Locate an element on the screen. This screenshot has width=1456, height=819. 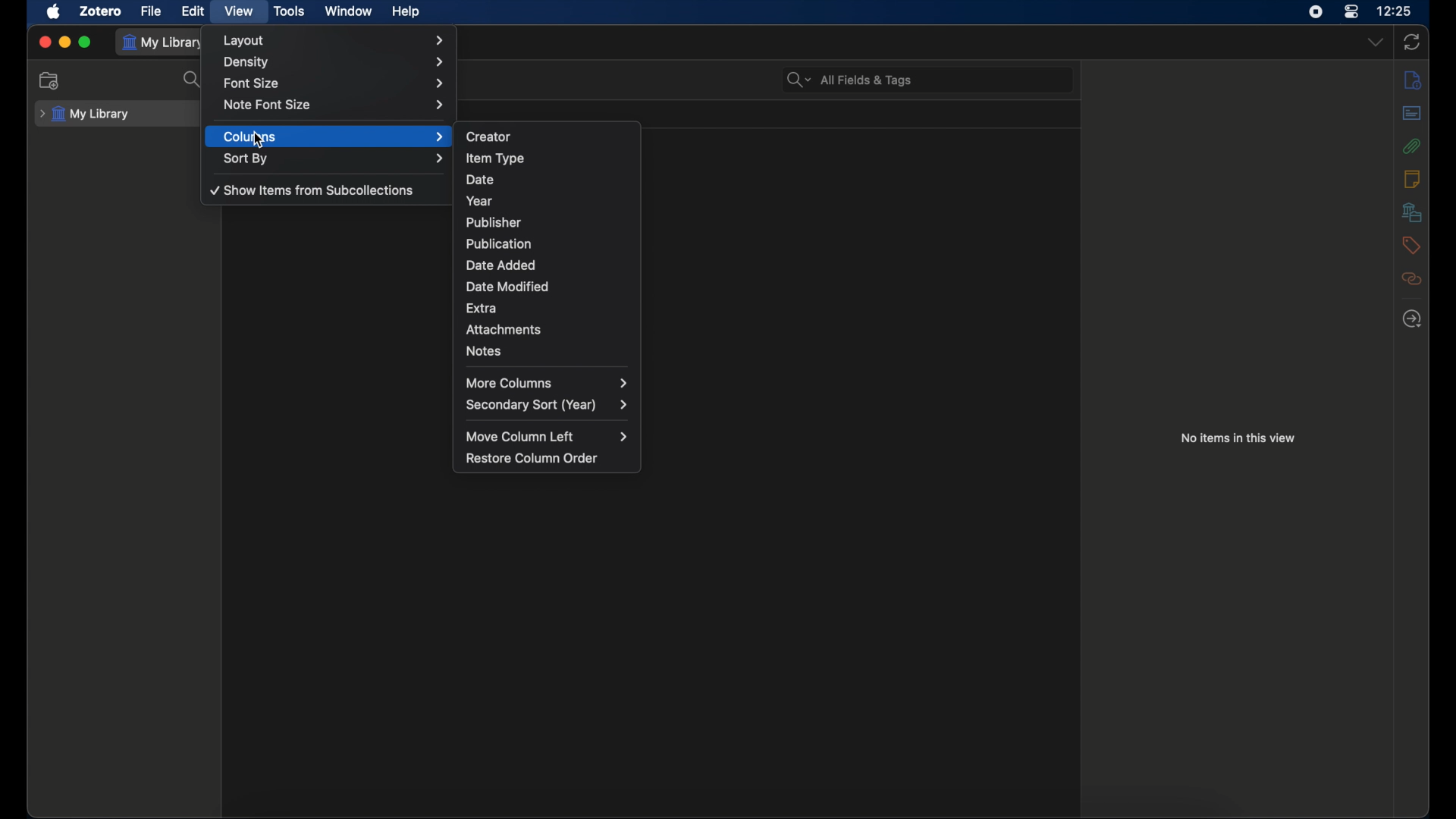
minimize is located at coordinates (64, 42).